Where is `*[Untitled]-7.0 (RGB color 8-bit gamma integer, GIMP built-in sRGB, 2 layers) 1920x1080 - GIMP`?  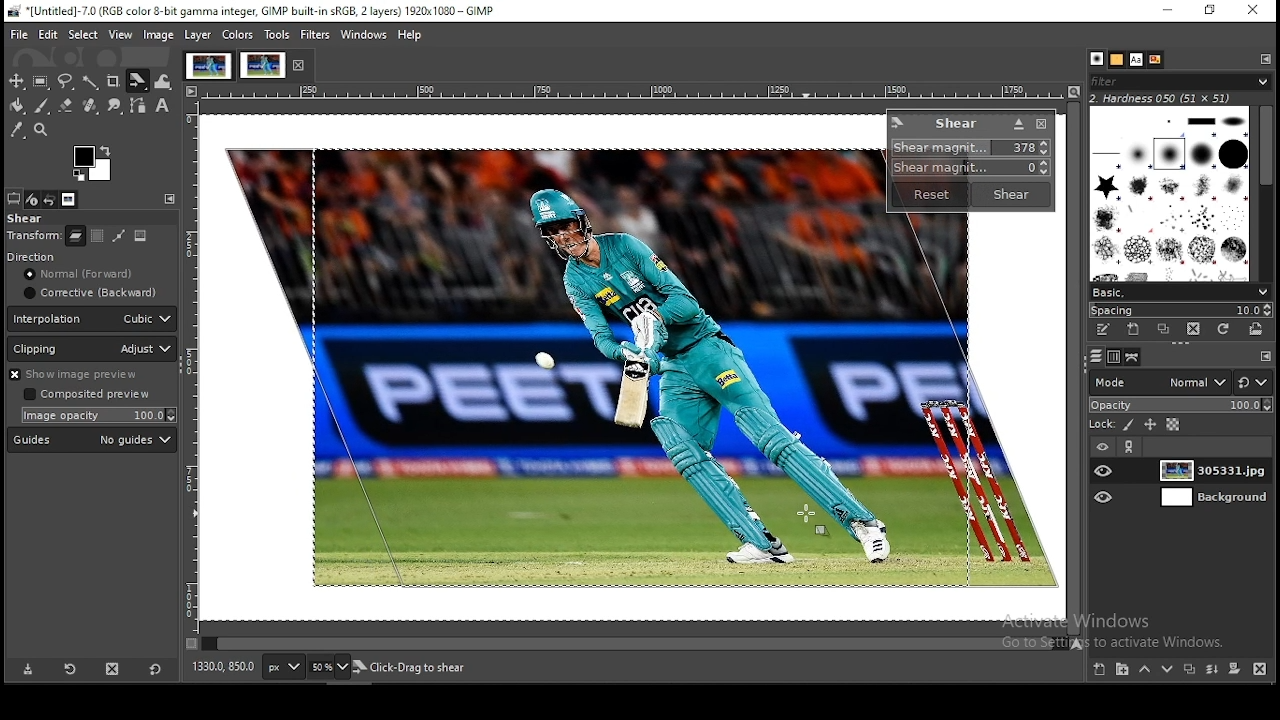
*[Untitled]-7.0 (RGB color 8-bit gamma integer, GIMP built-in sRGB, 2 layers) 1920x1080 - GIMP is located at coordinates (262, 11).